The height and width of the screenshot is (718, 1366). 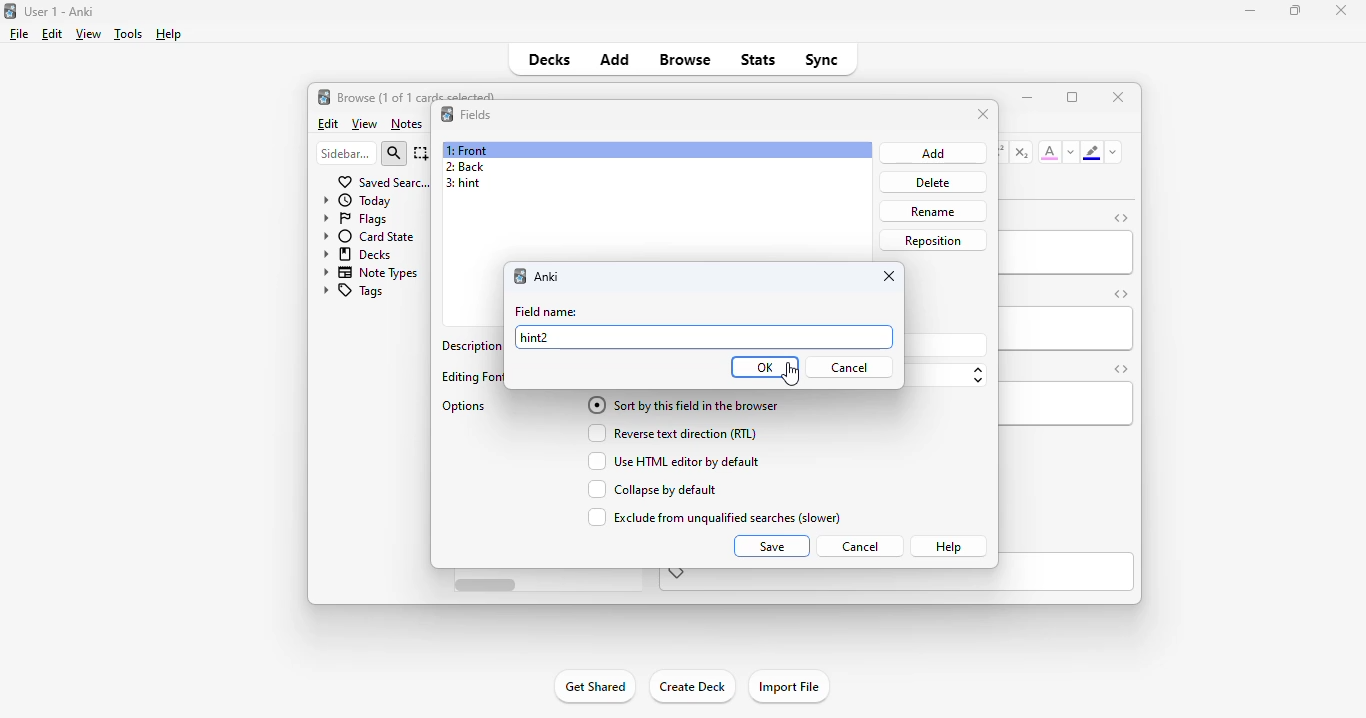 I want to click on edit, so click(x=329, y=124).